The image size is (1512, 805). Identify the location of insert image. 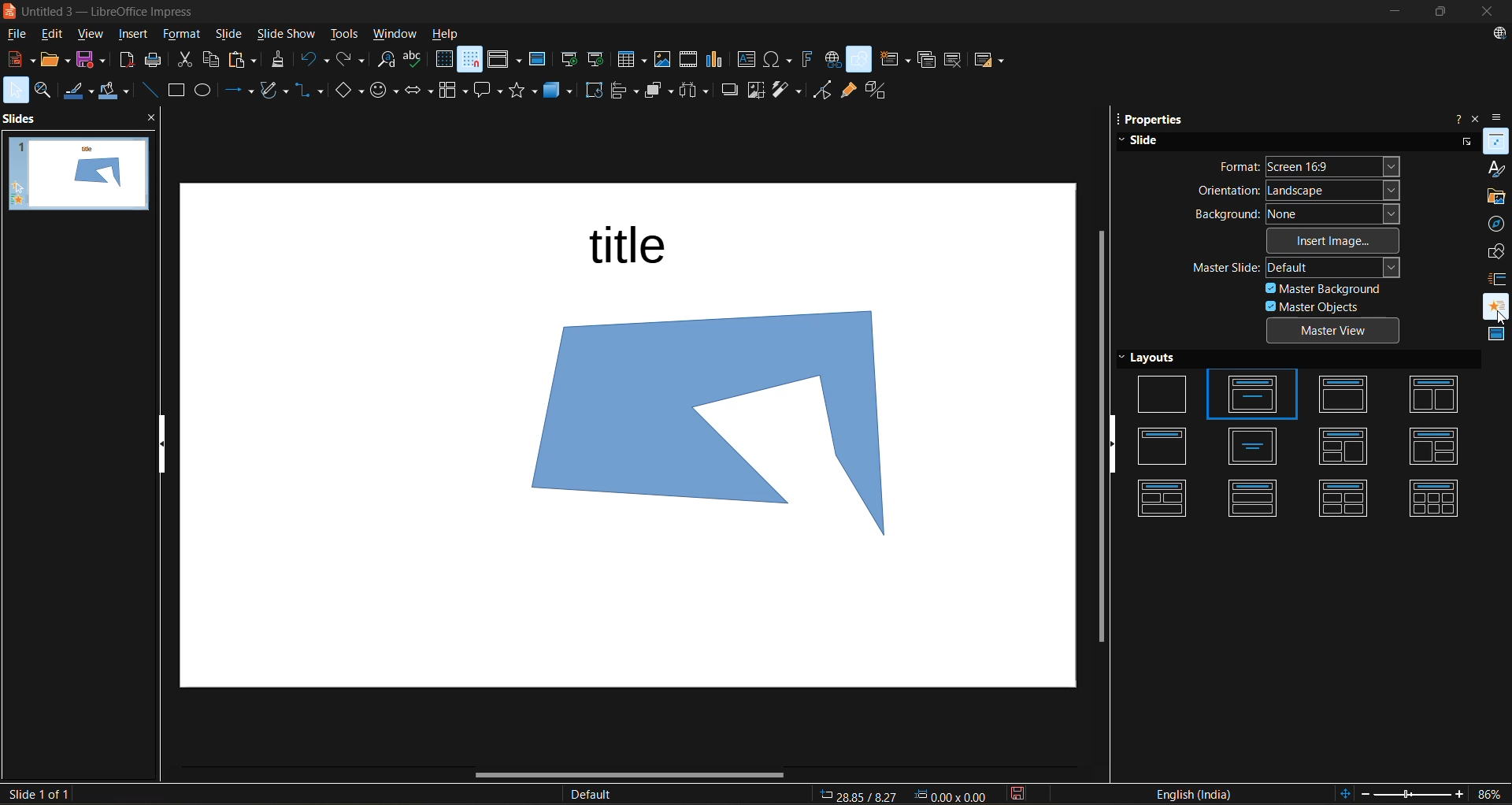
(661, 59).